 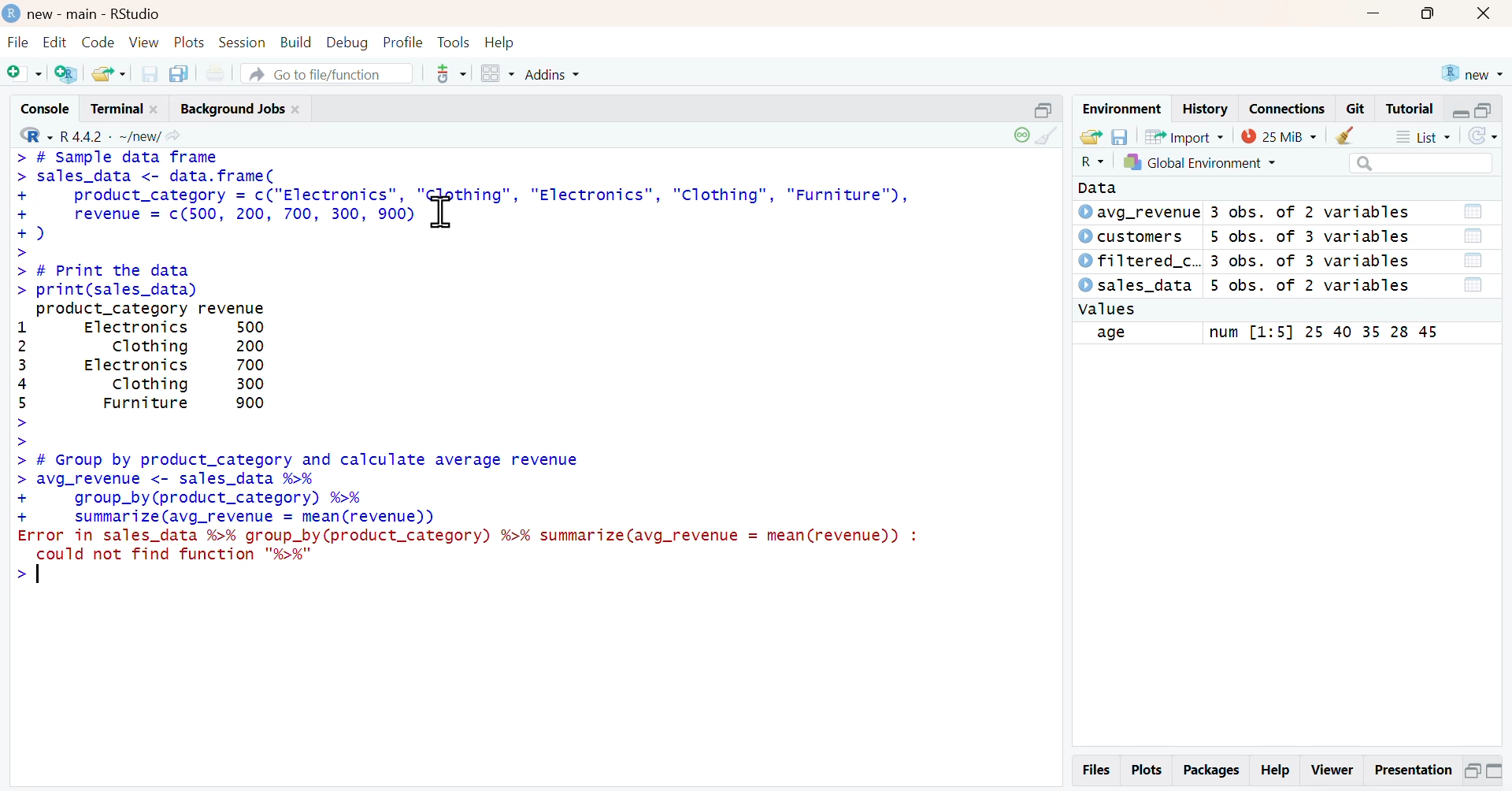 What do you see at coordinates (1136, 334) in the screenshot?
I see `field name` at bounding box center [1136, 334].